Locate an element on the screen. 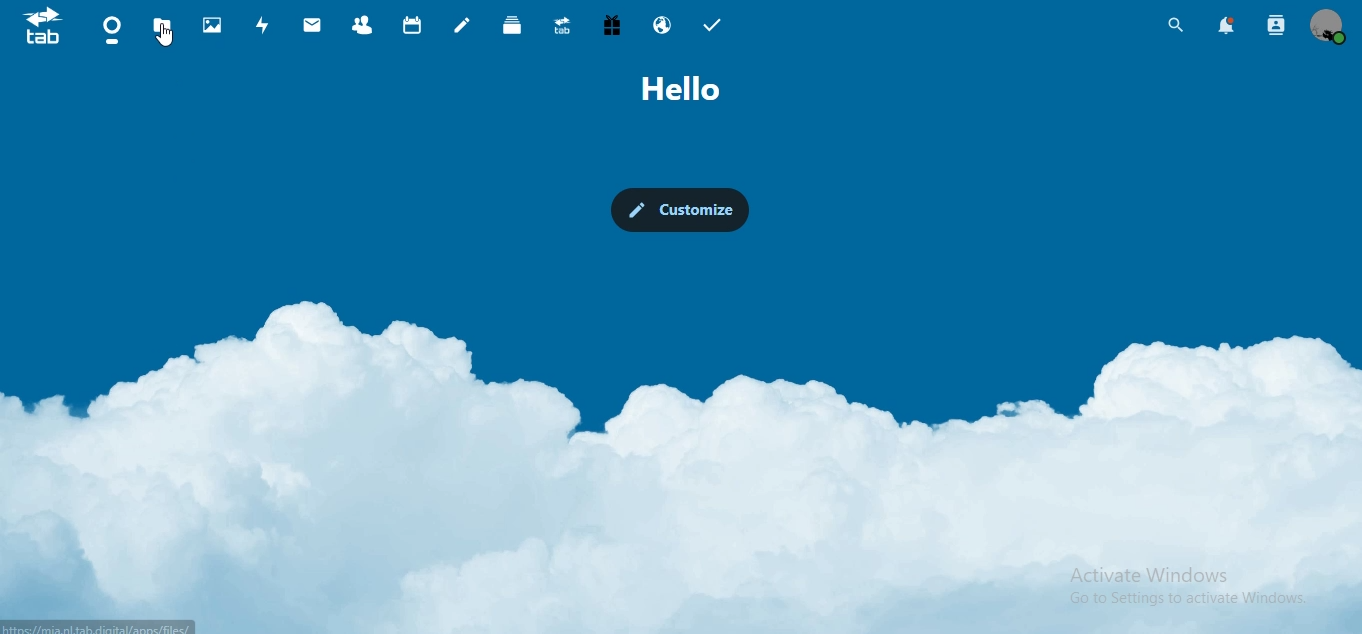  contacts is located at coordinates (363, 27).